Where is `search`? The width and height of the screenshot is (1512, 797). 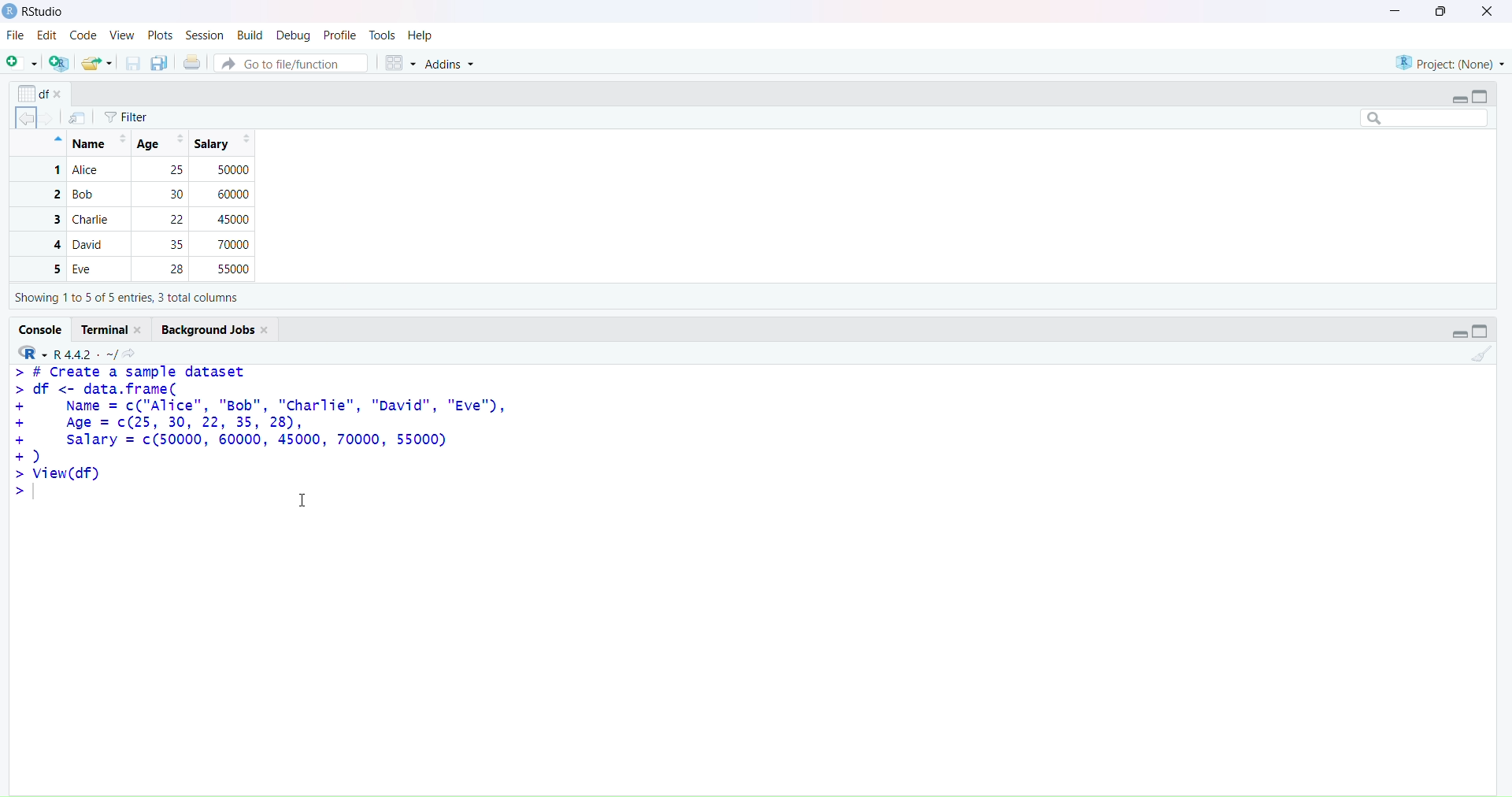 search is located at coordinates (1416, 118).